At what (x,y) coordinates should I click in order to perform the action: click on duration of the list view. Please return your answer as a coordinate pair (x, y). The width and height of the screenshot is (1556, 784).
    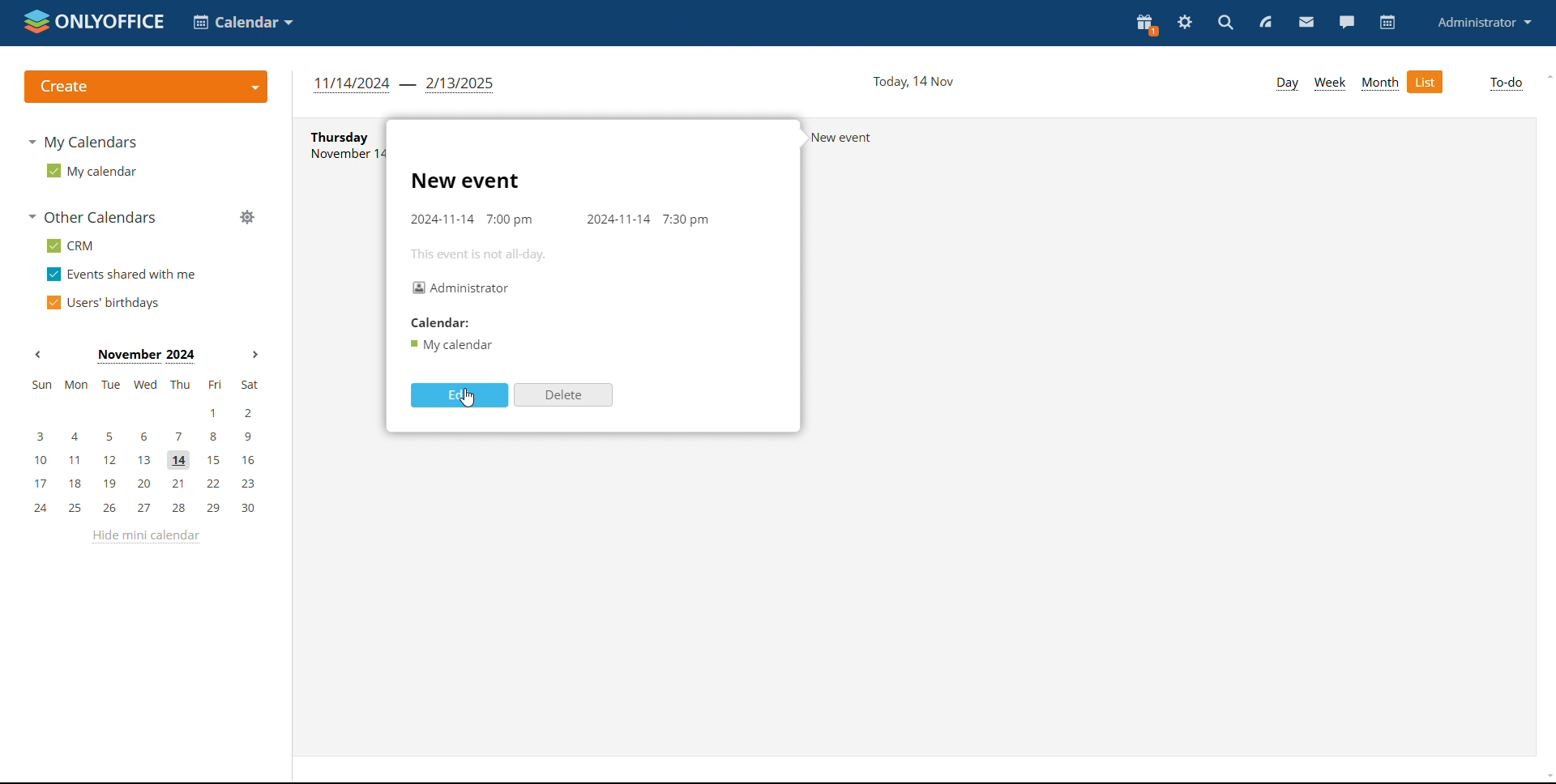
    Looking at the image, I should click on (402, 84).